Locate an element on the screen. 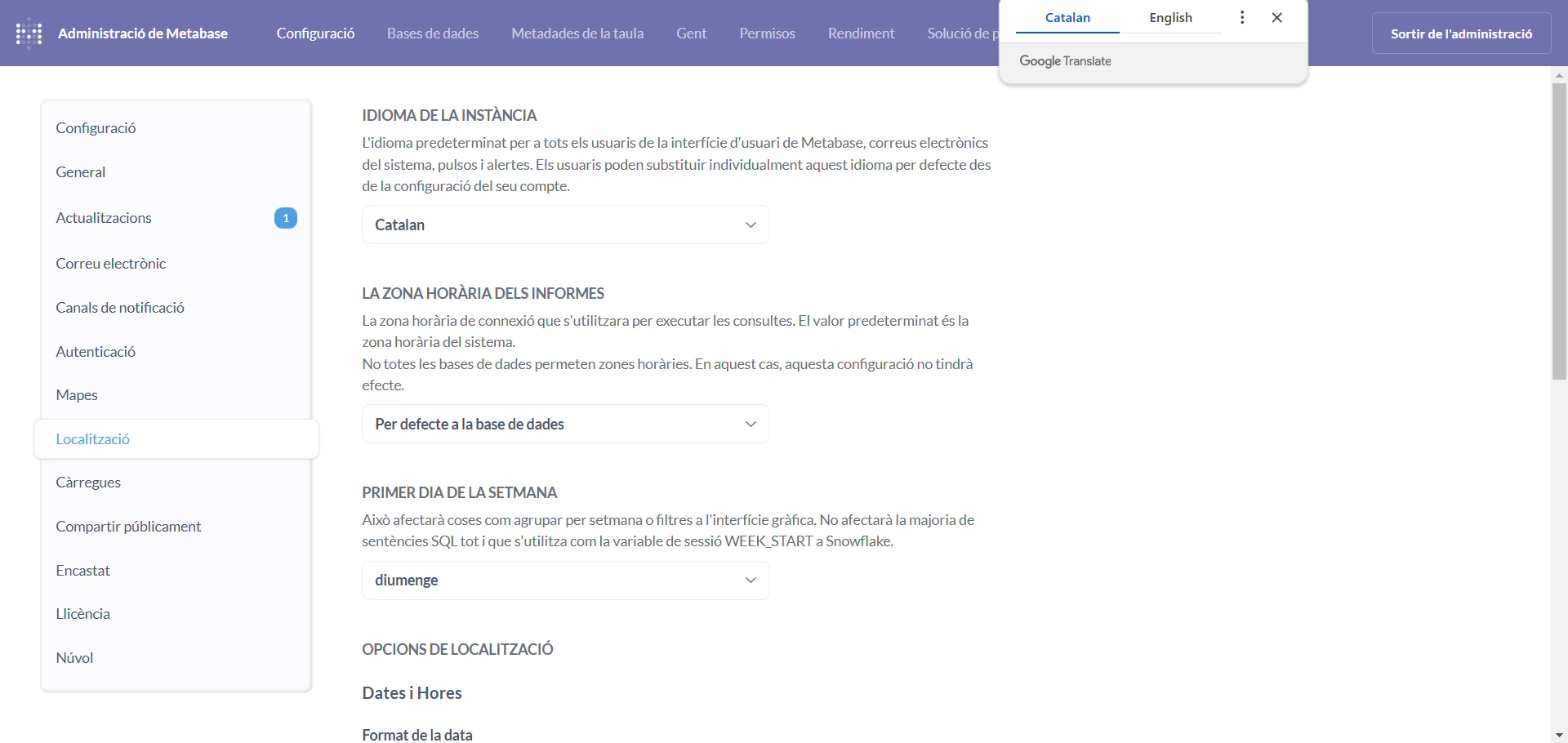 The width and height of the screenshot is (1568, 743). authentication is located at coordinates (169, 354).